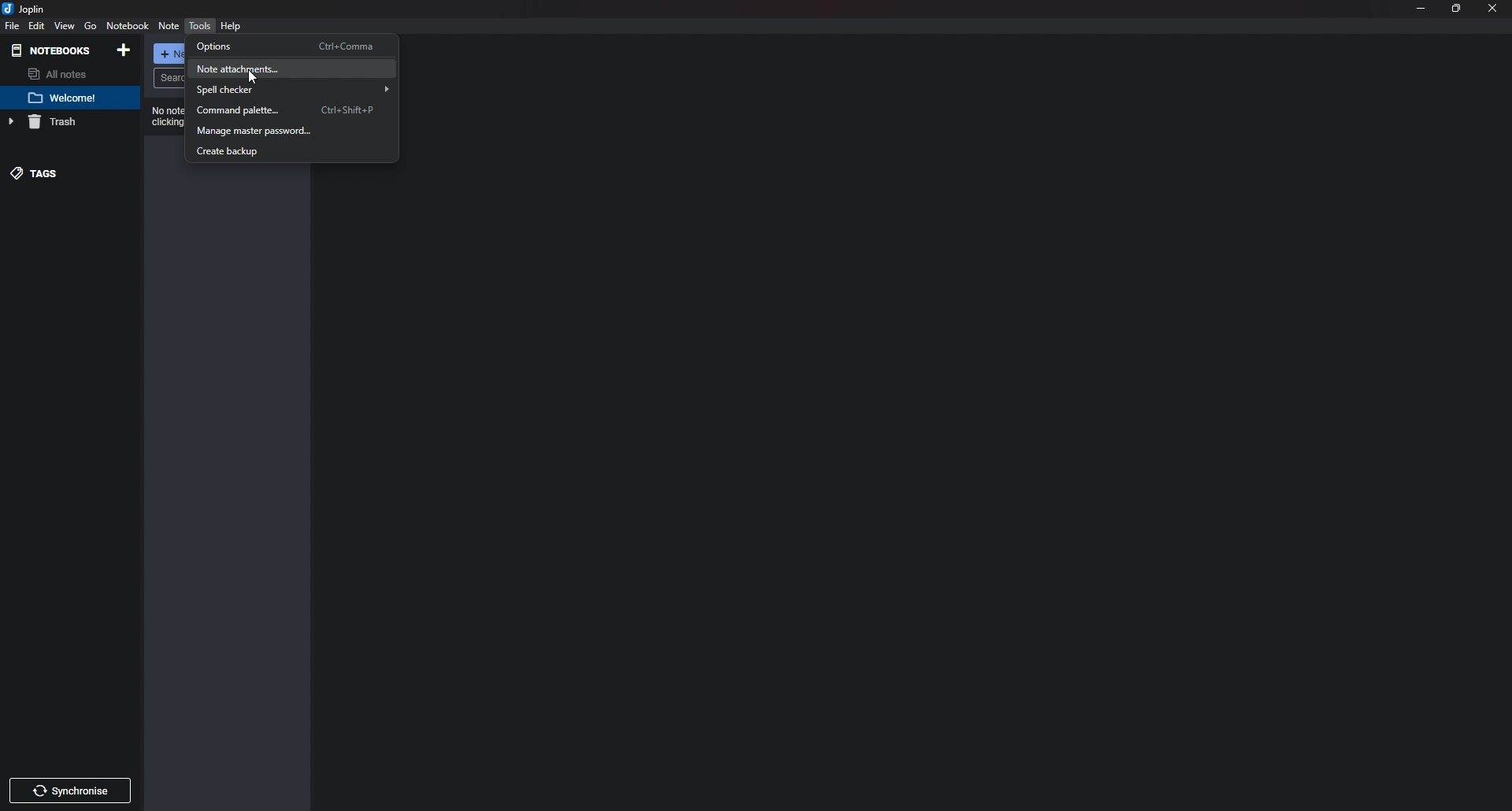 The width and height of the screenshot is (1512, 811). What do you see at coordinates (1420, 9) in the screenshot?
I see `Minimize` at bounding box center [1420, 9].